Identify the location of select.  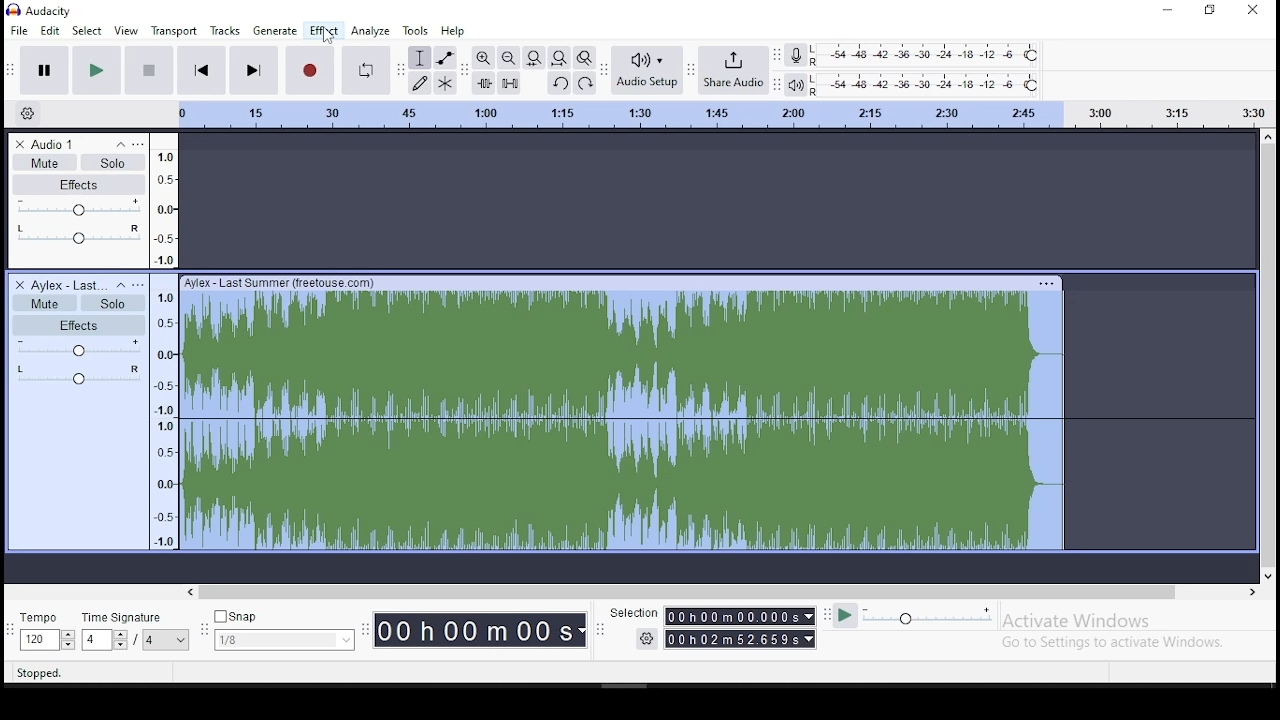
(85, 30).